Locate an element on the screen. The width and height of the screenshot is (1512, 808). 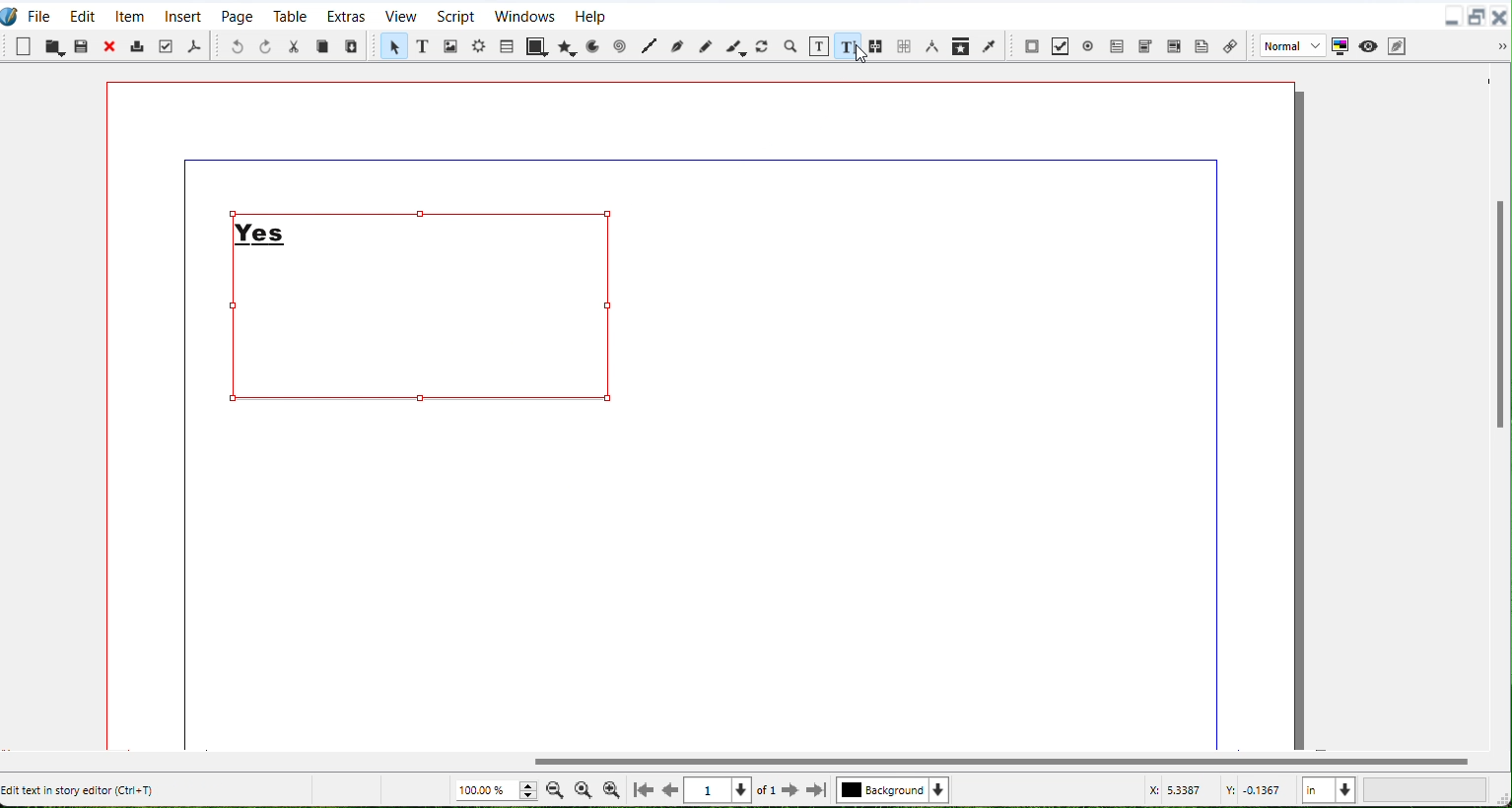
Close is located at coordinates (111, 46).